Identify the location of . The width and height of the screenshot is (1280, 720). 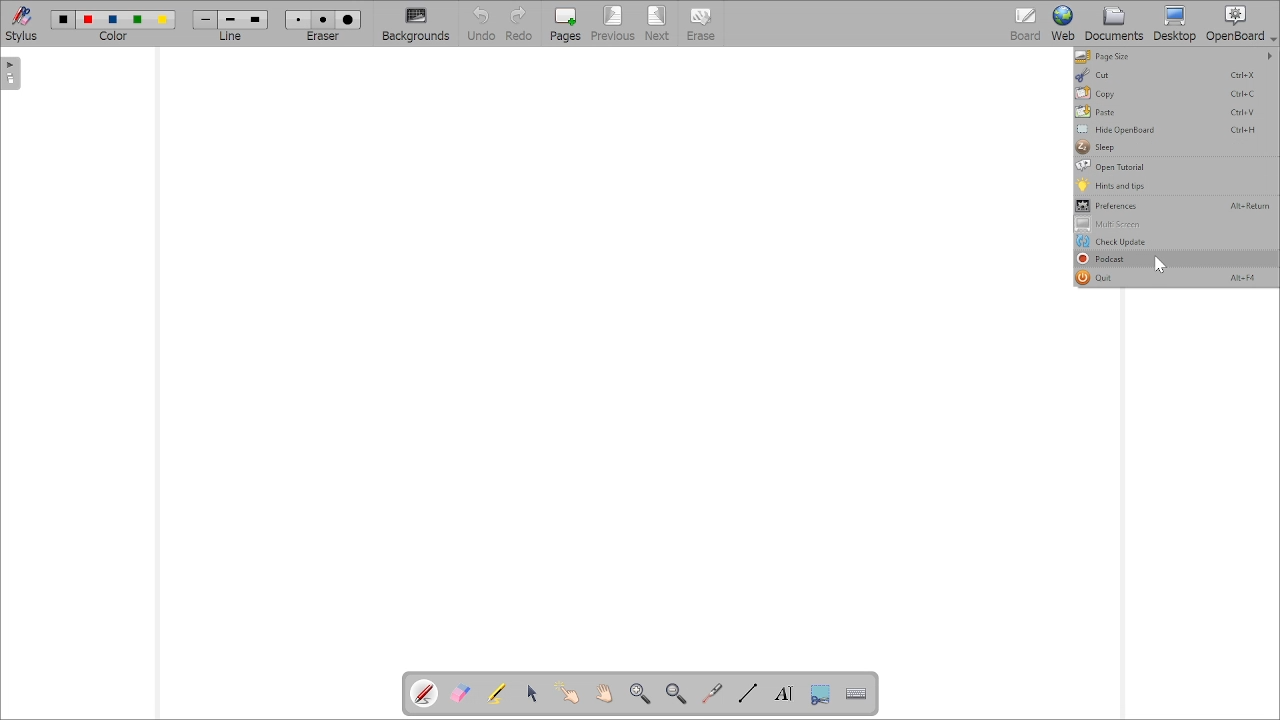
(478, 24).